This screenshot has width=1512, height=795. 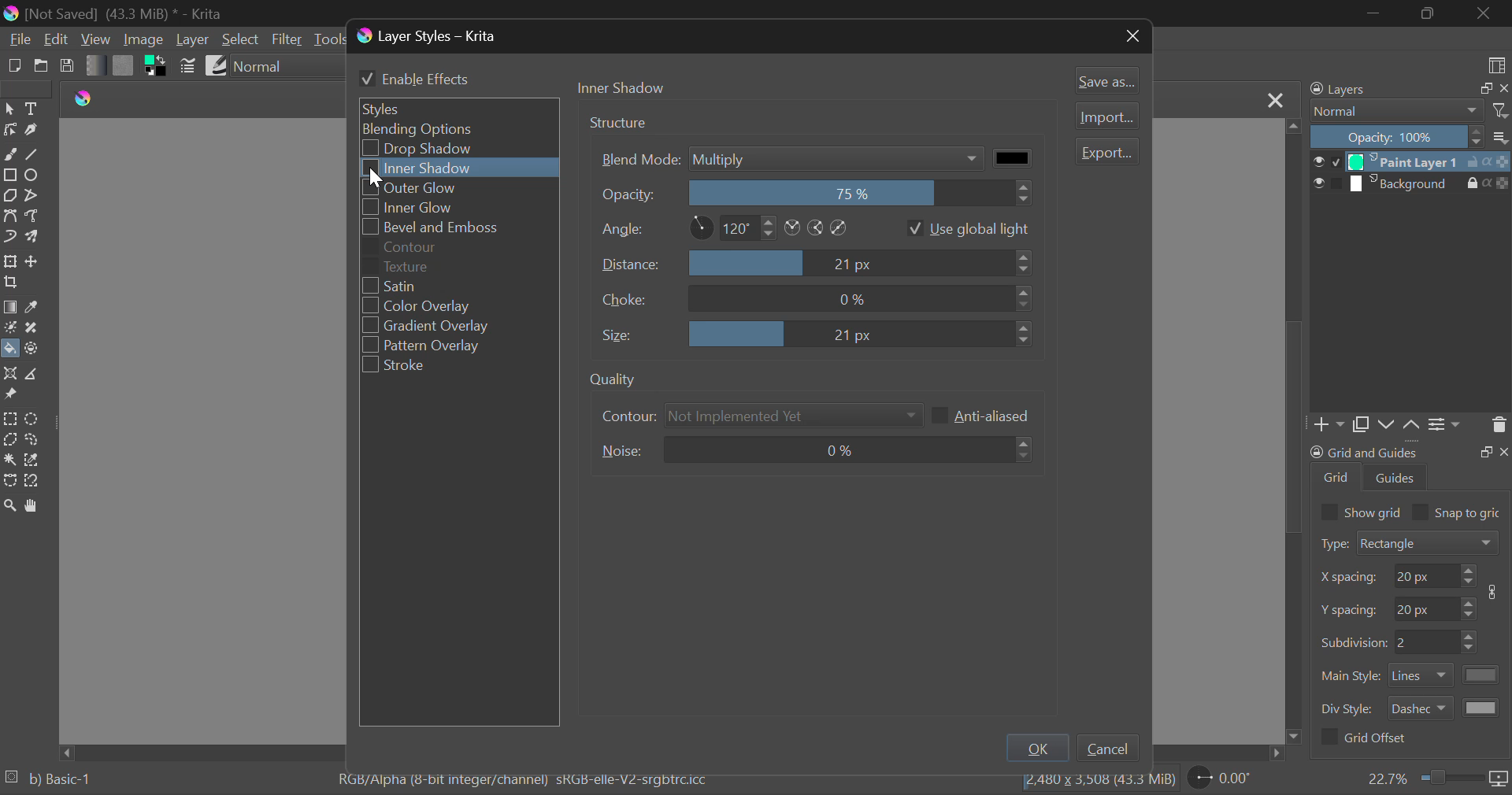 I want to click on Multibrush Tool, so click(x=35, y=238).